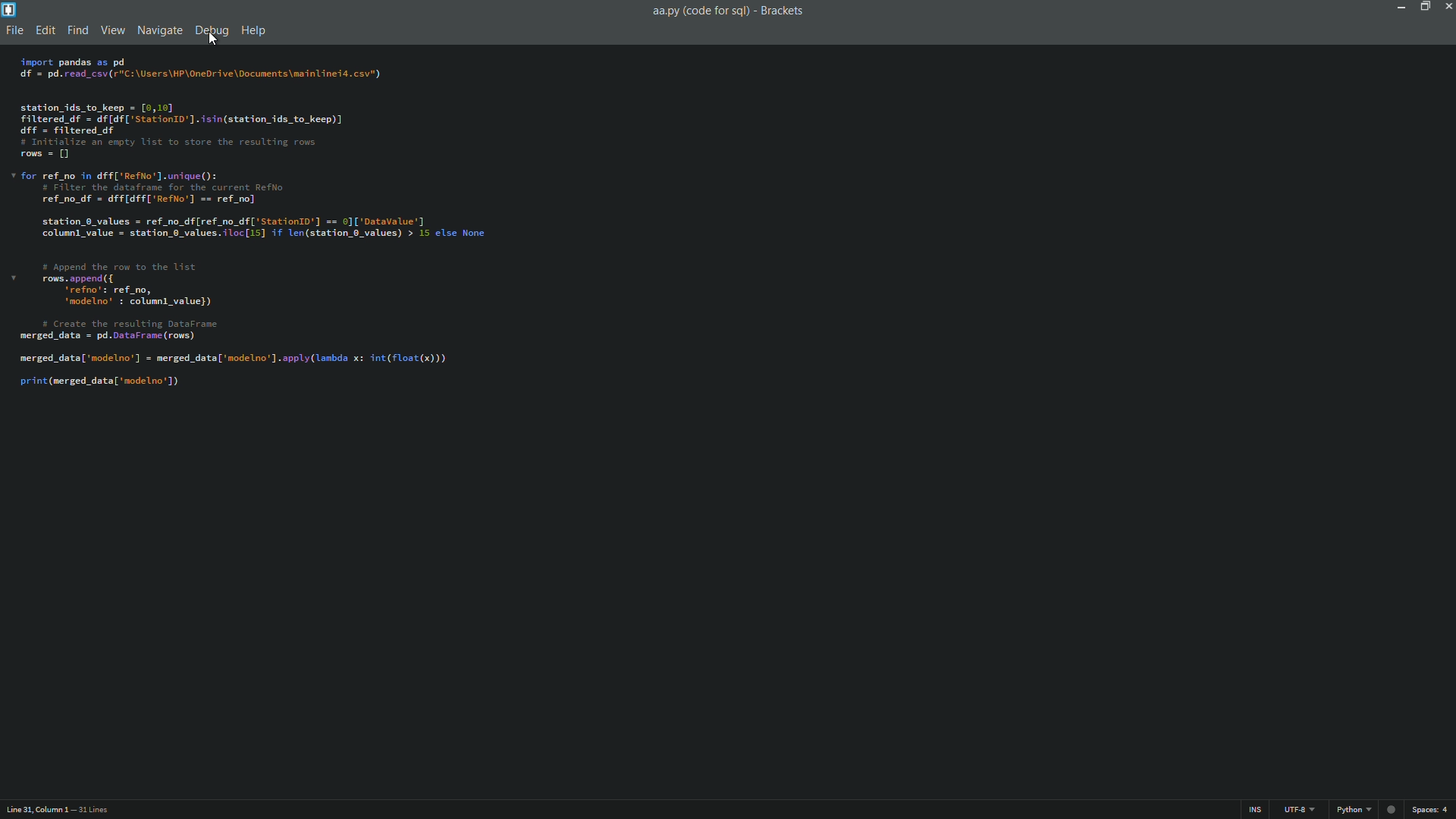  What do you see at coordinates (736, 12) in the screenshot?
I see `File name` at bounding box center [736, 12].